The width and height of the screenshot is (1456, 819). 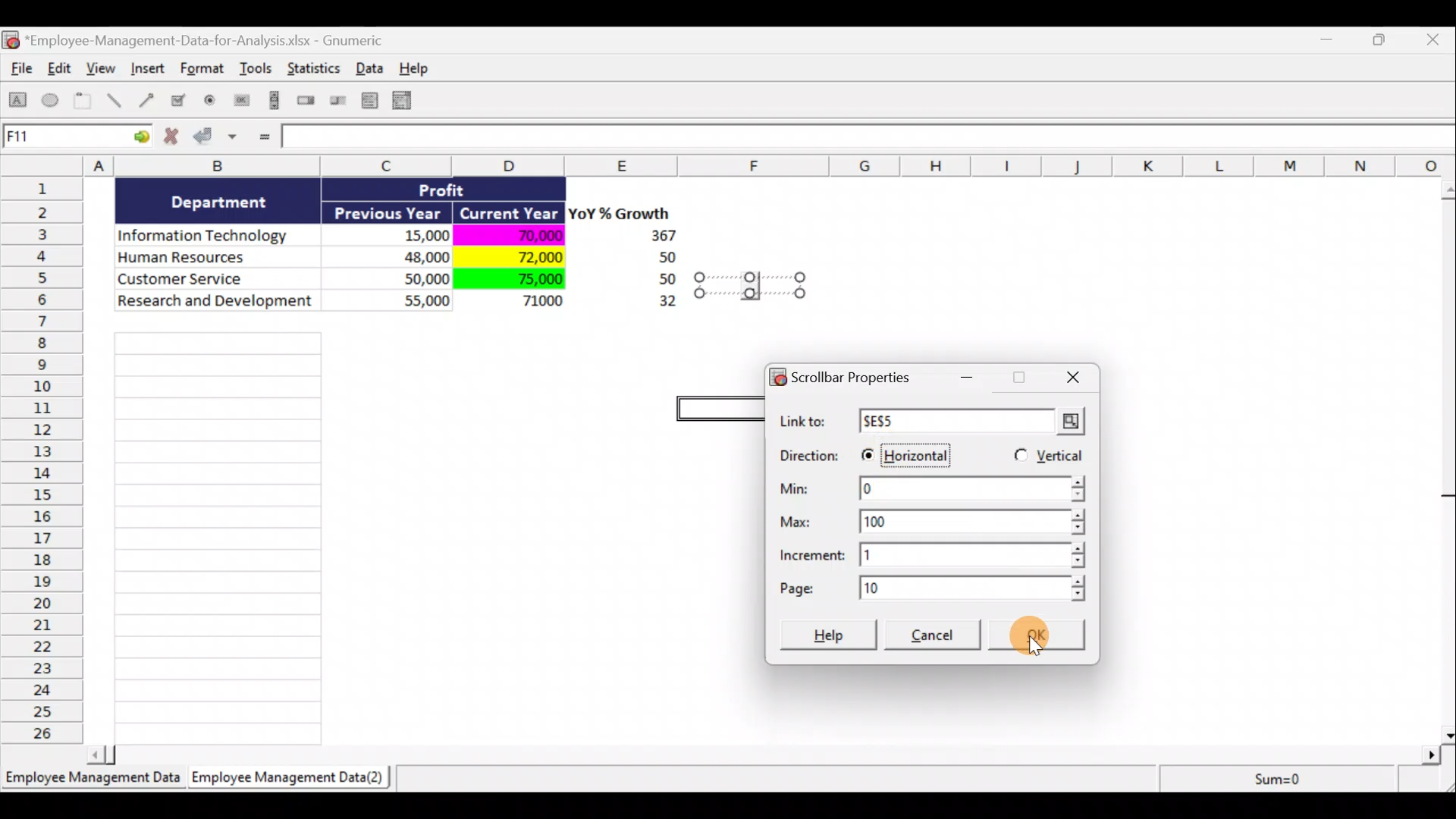 What do you see at coordinates (1047, 458) in the screenshot?
I see `Vertical` at bounding box center [1047, 458].